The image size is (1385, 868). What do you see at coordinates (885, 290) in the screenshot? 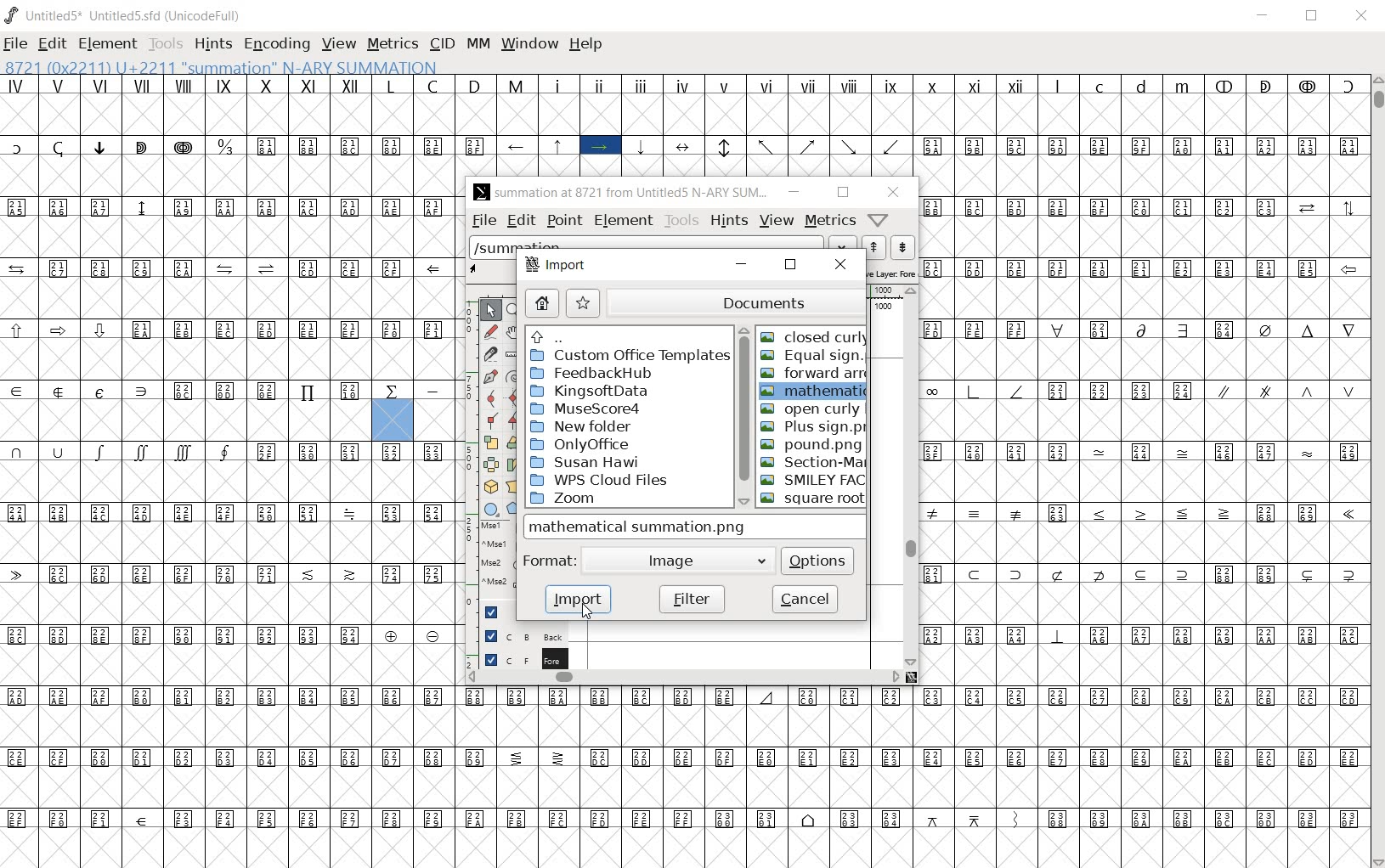
I see `ruler` at bounding box center [885, 290].